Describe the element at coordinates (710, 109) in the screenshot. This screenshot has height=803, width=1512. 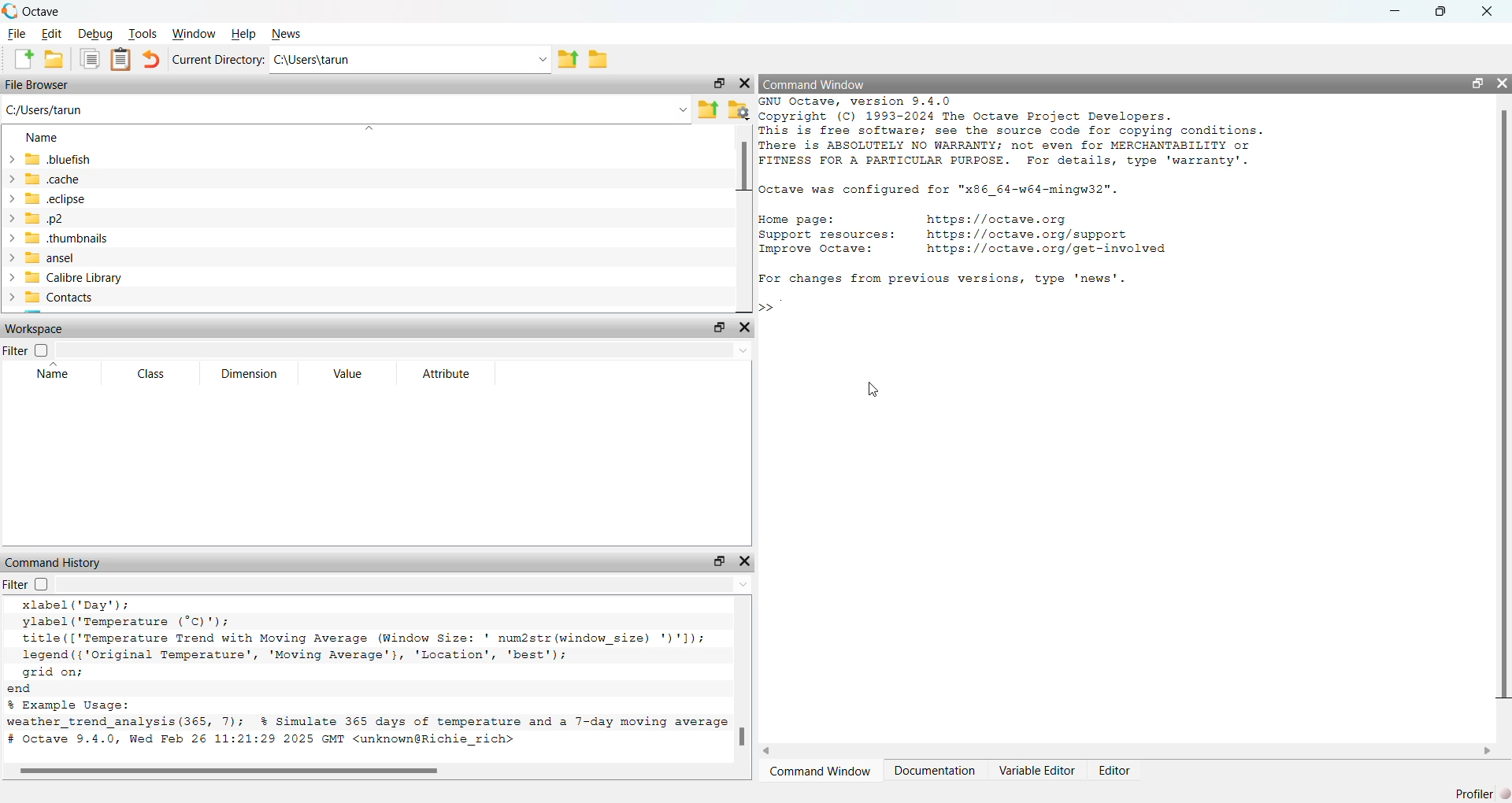
I see `export` at that location.